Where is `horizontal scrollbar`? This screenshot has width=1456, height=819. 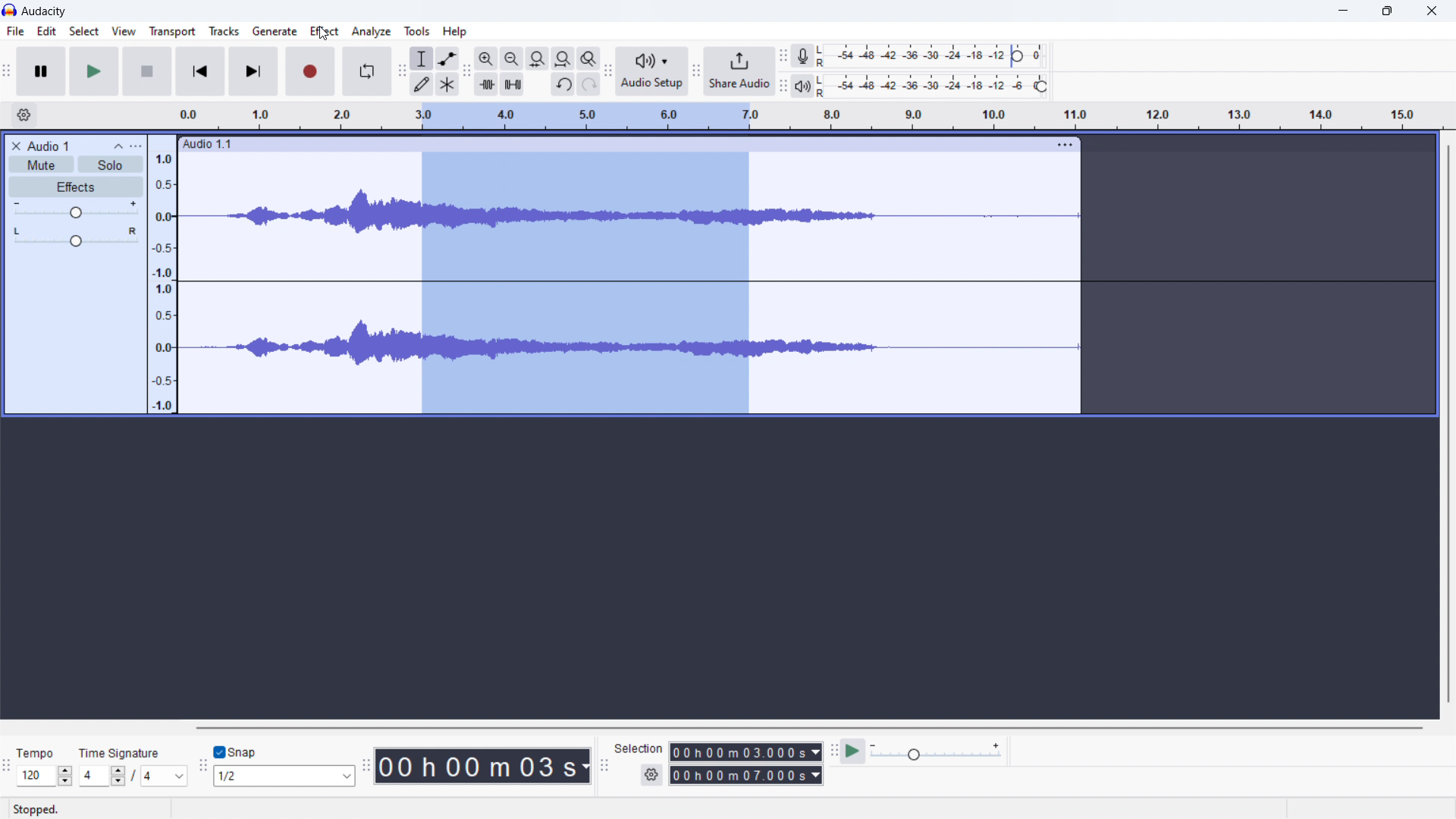 horizontal scrollbar is located at coordinates (811, 728).